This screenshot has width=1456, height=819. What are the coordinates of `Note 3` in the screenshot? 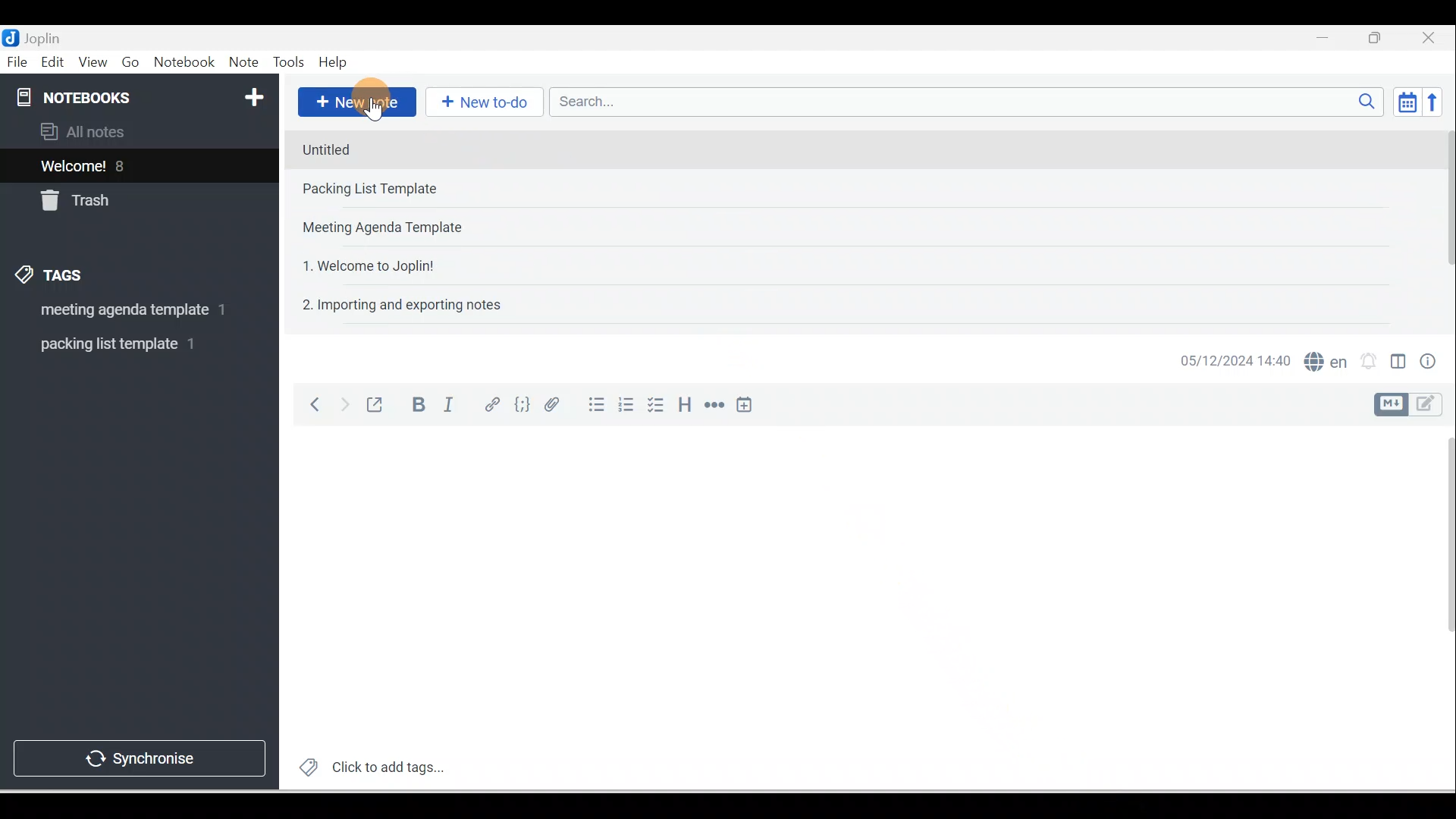 It's located at (418, 228).